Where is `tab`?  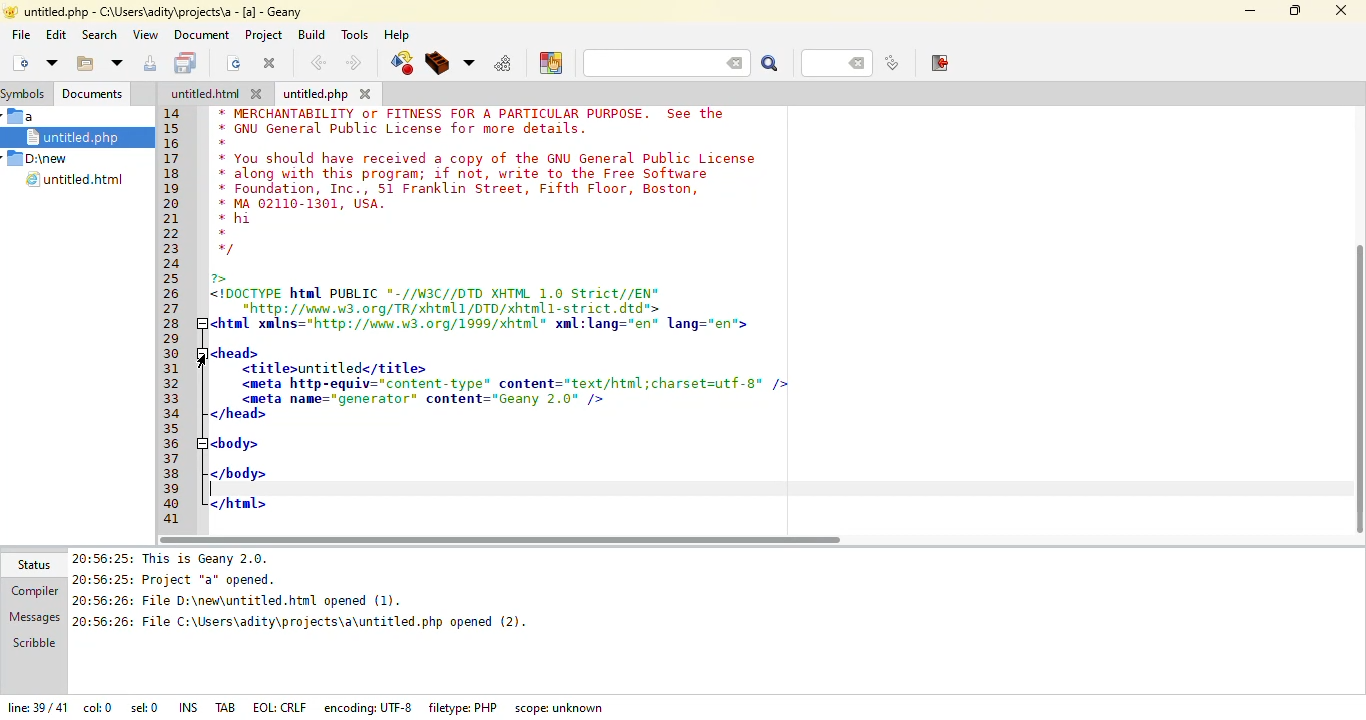 tab is located at coordinates (227, 706).